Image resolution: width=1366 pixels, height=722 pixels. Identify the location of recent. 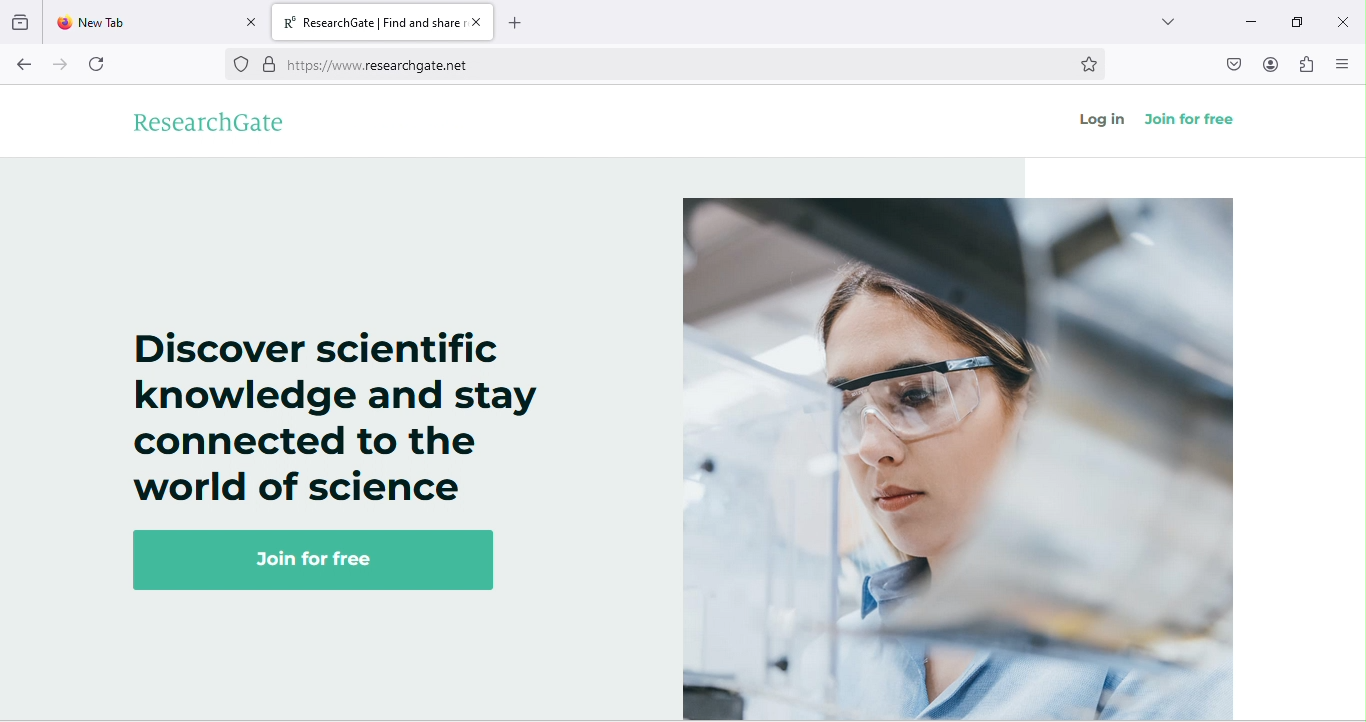
(22, 23).